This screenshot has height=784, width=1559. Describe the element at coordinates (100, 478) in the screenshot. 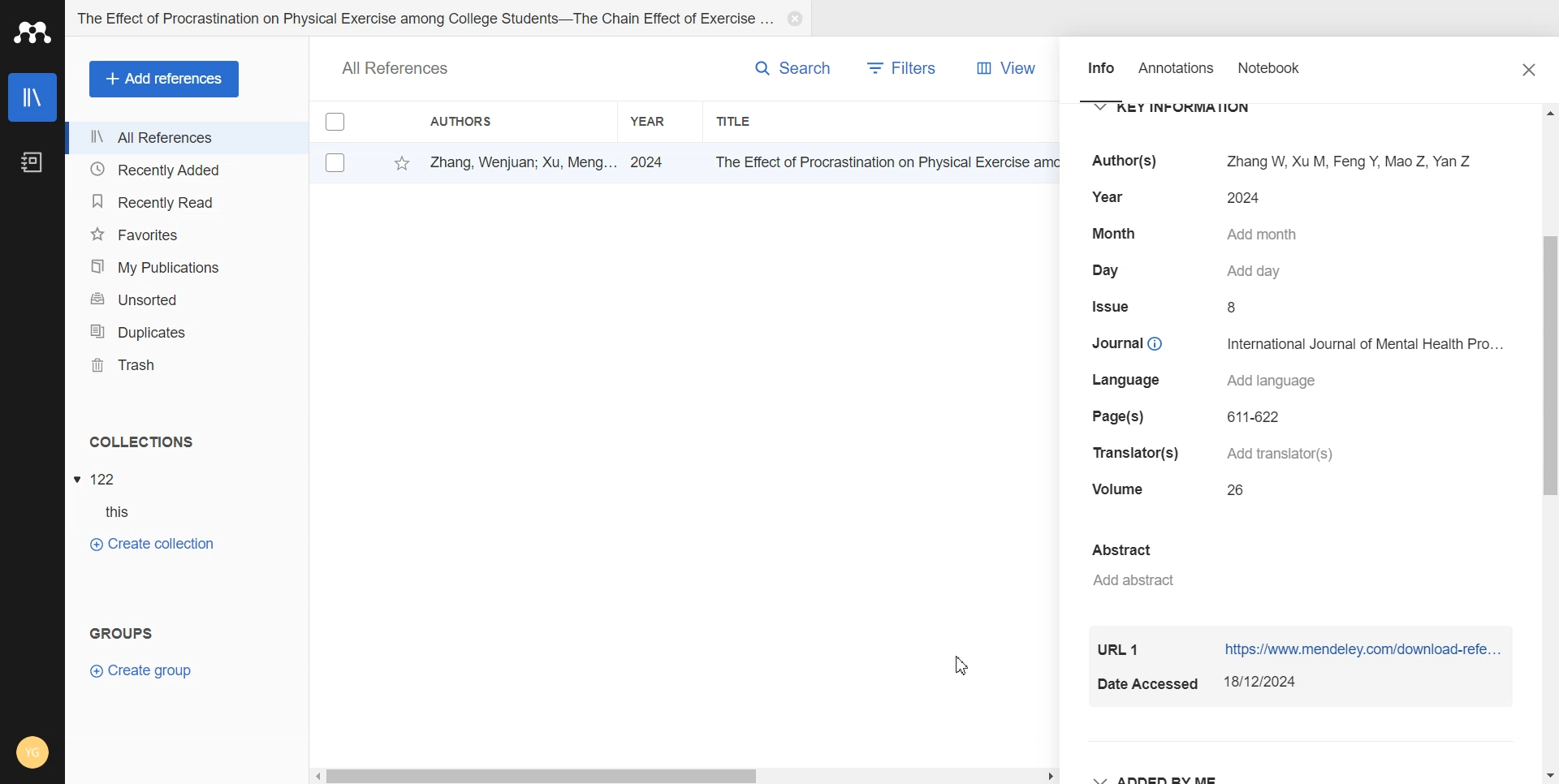

I see `File` at that location.